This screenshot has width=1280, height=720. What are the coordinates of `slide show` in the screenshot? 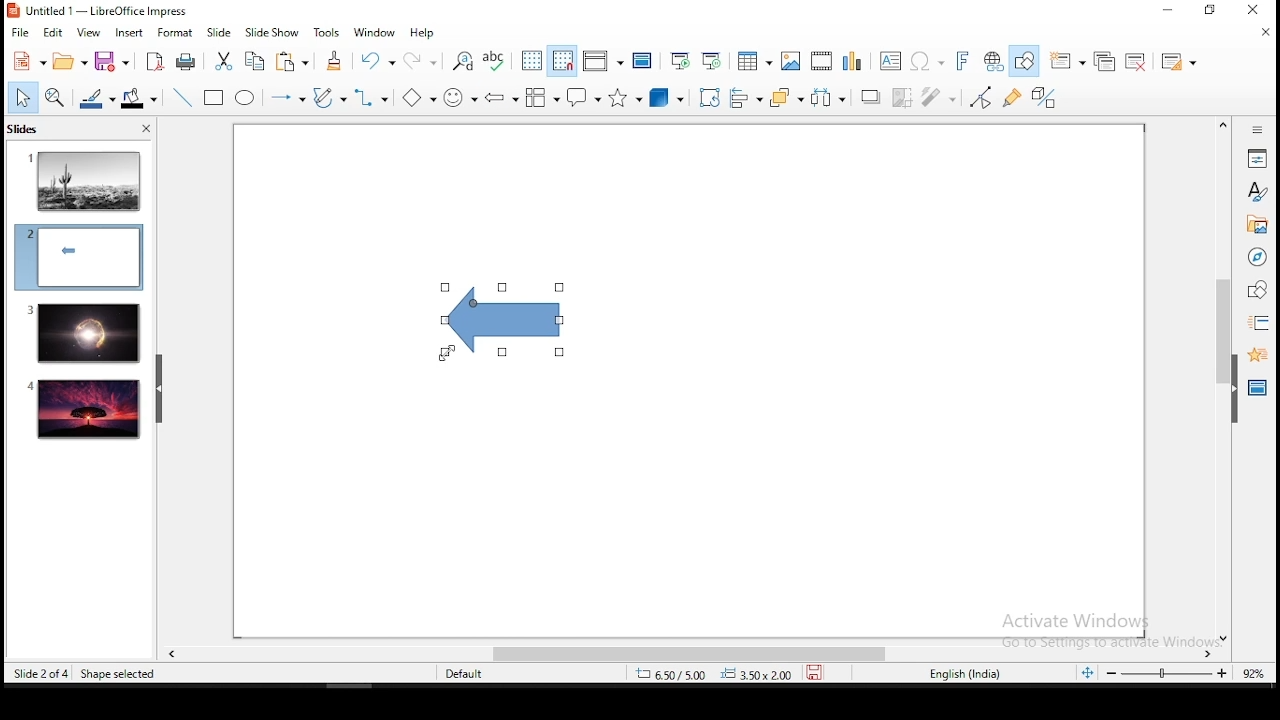 It's located at (274, 33).